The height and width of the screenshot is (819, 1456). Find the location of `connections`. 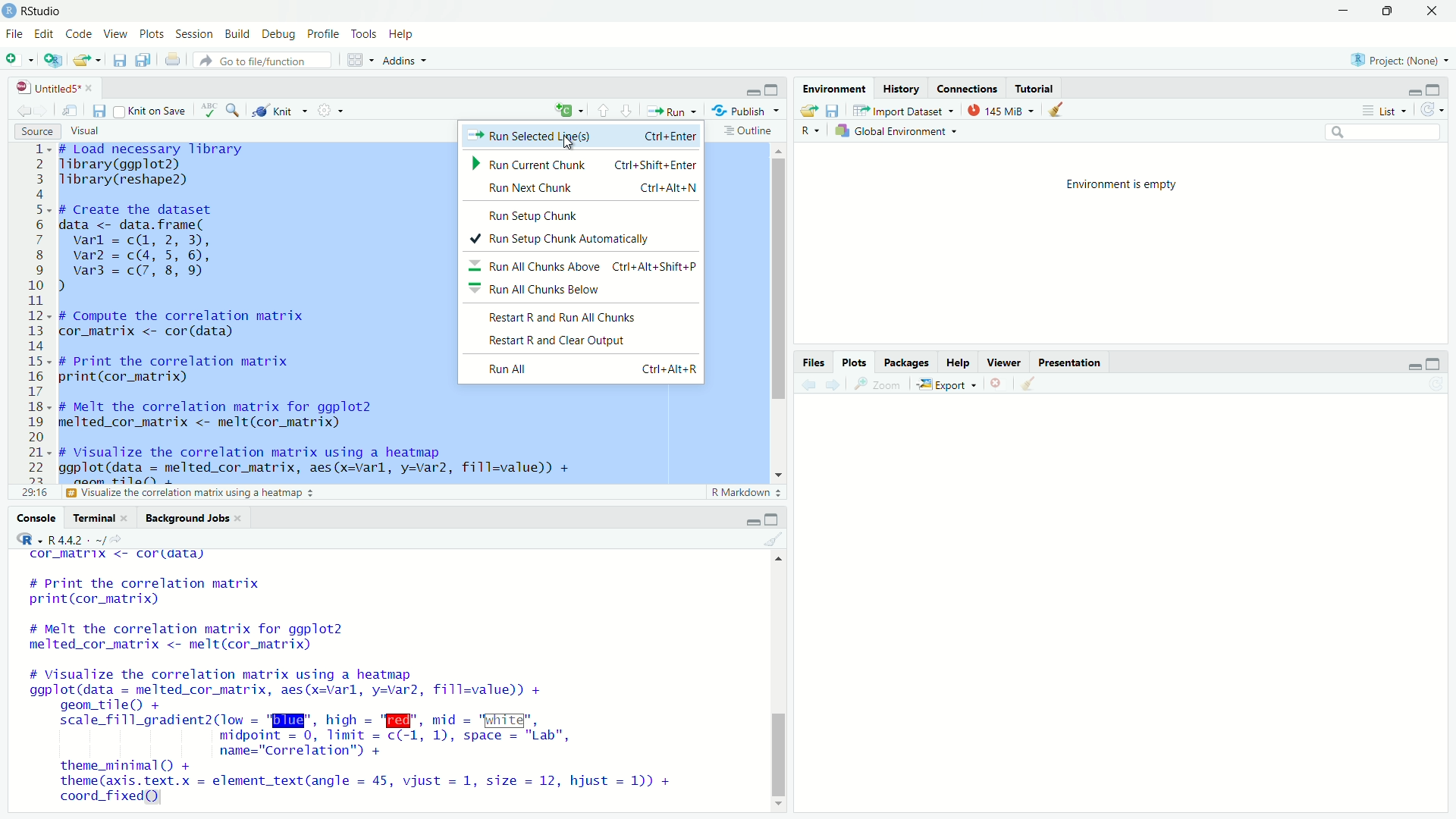

connections is located at coordinates (969, 88).